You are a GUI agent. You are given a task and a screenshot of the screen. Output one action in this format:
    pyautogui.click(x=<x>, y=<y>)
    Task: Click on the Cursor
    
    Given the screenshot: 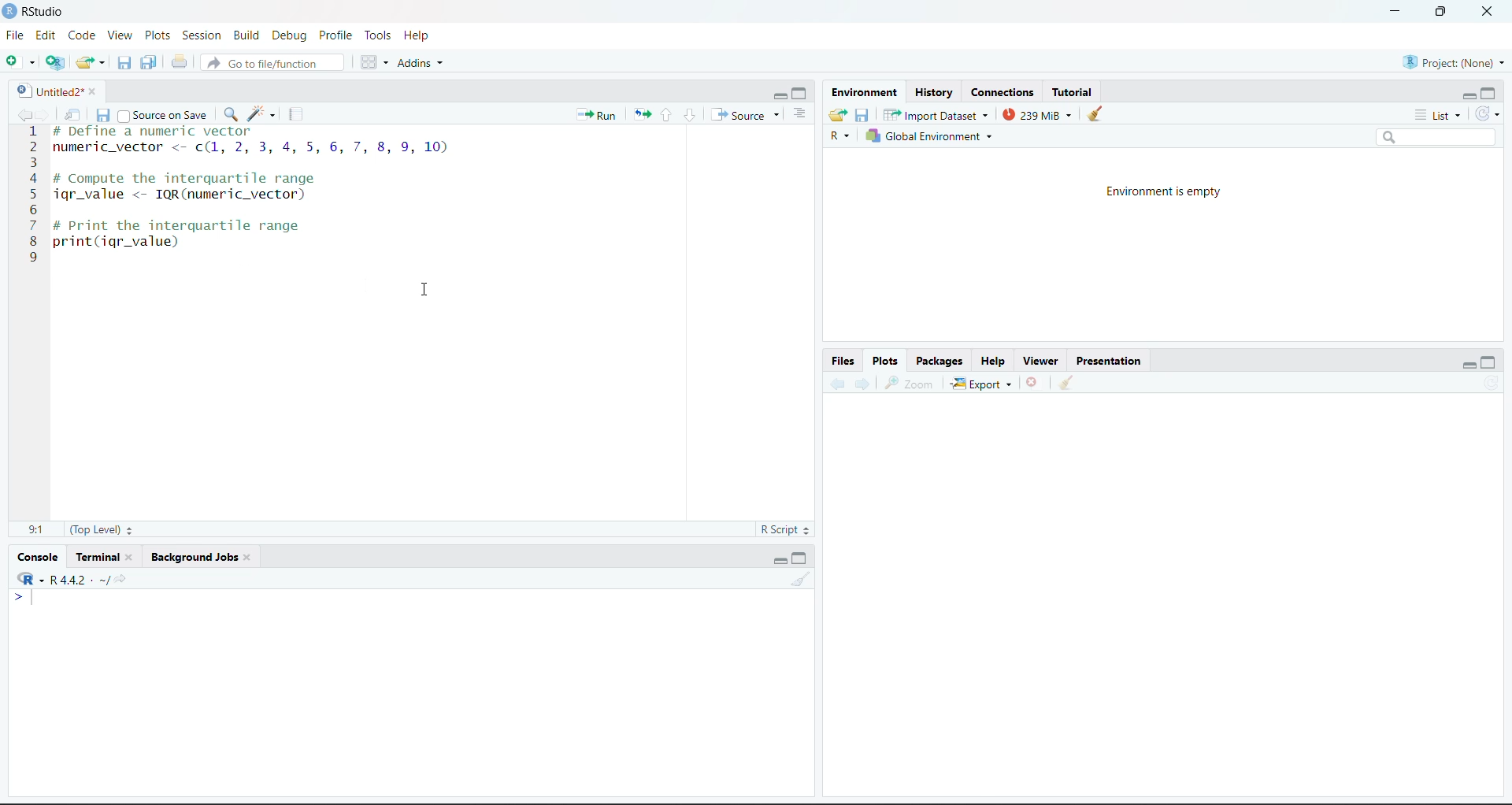 What is the action you would take?
    pyautogui.click(x=424, y=295)
    